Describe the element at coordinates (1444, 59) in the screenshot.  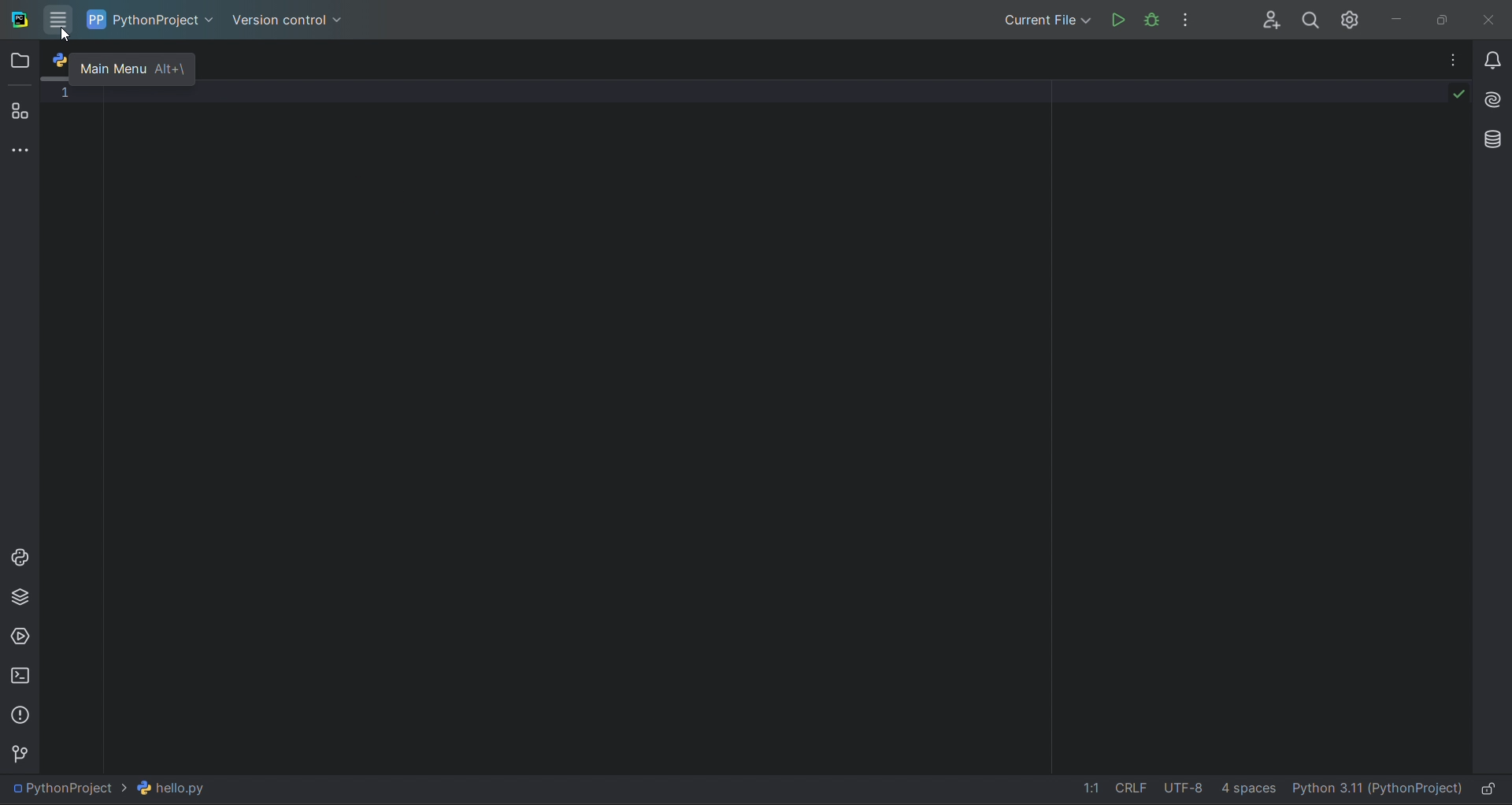
I see `options` at that location.